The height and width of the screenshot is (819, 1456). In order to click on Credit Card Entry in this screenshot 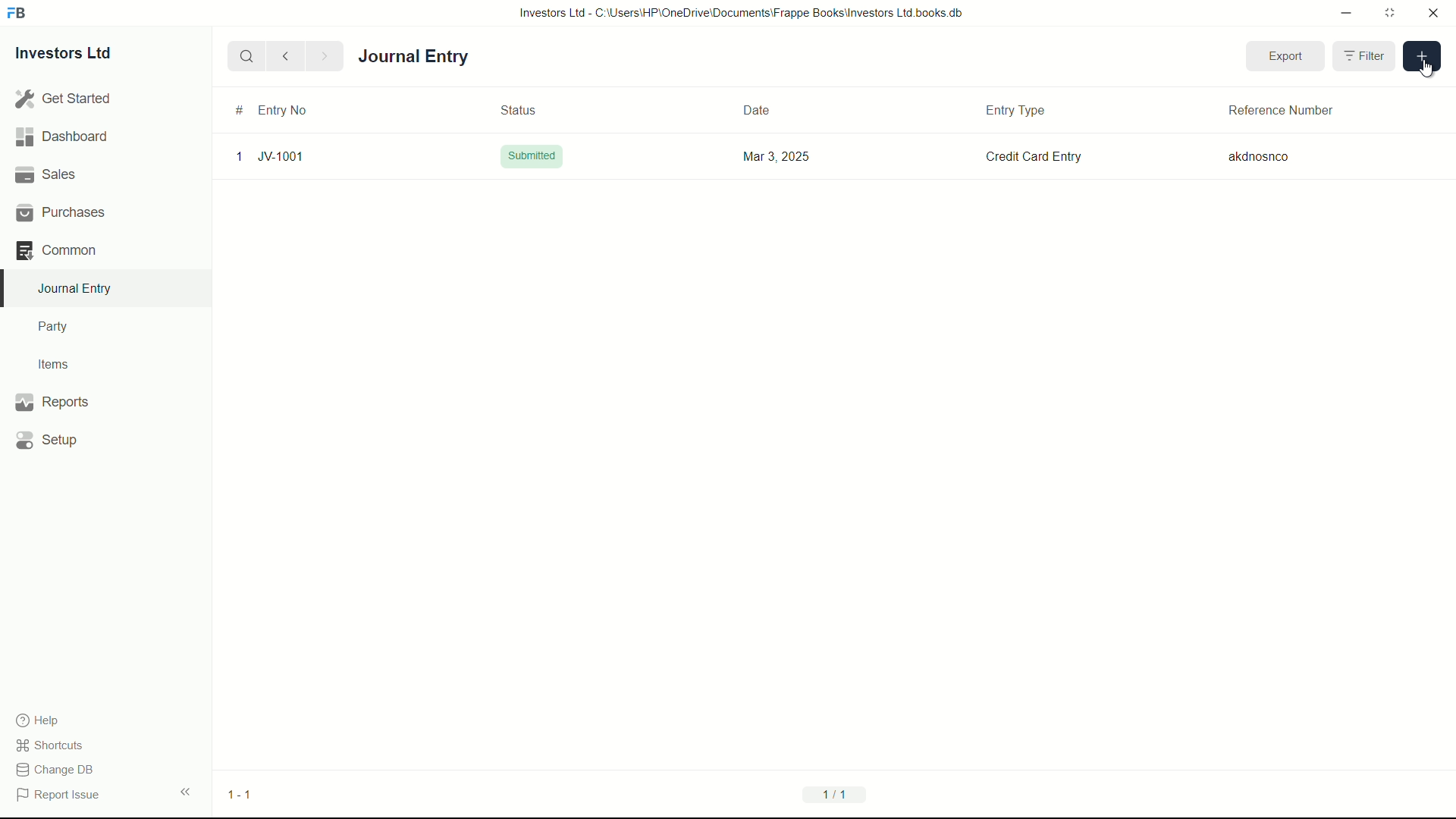, I will do `click(1028, 155)`.